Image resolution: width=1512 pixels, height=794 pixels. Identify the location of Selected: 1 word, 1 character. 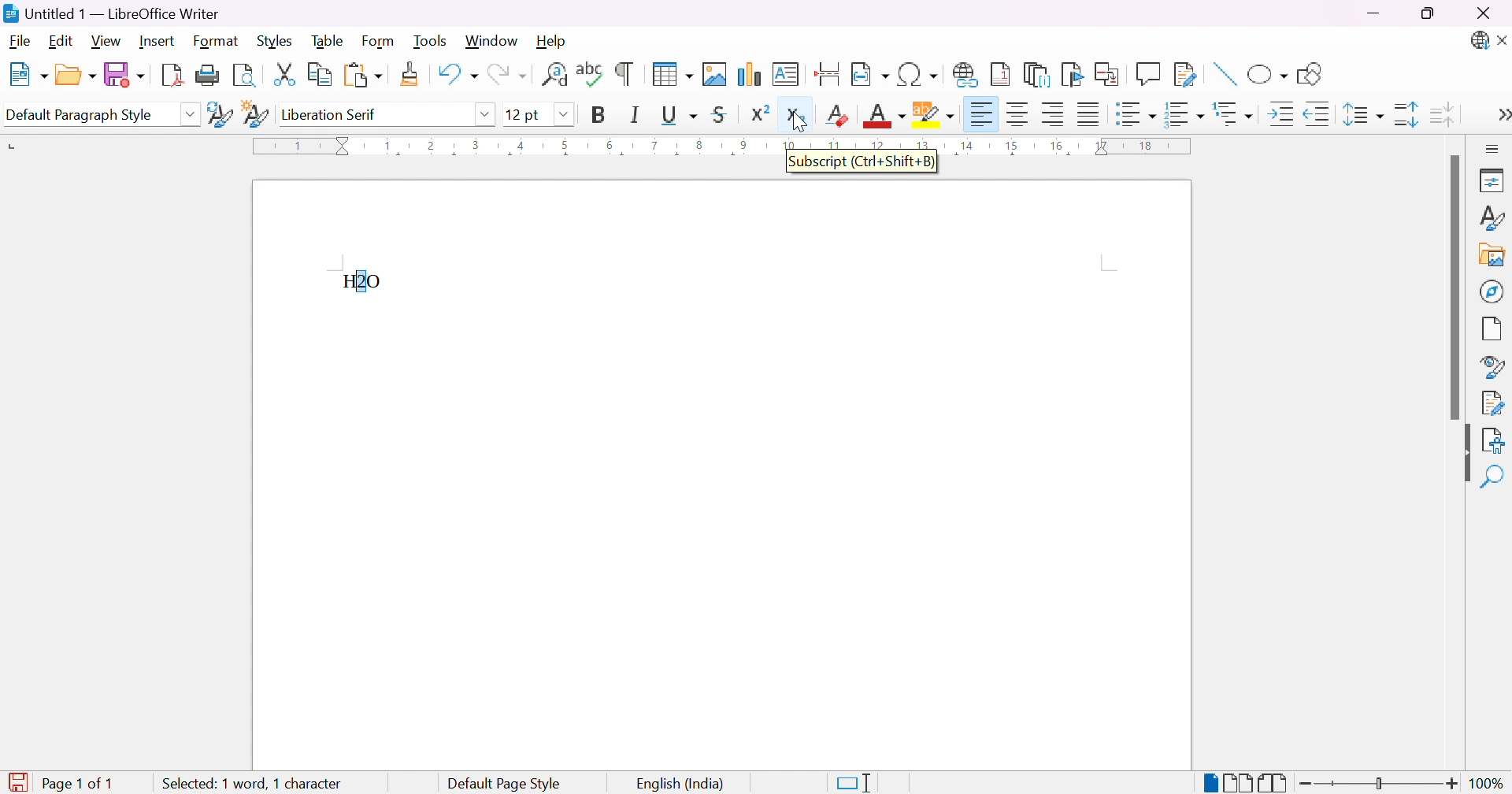
(253, 781).